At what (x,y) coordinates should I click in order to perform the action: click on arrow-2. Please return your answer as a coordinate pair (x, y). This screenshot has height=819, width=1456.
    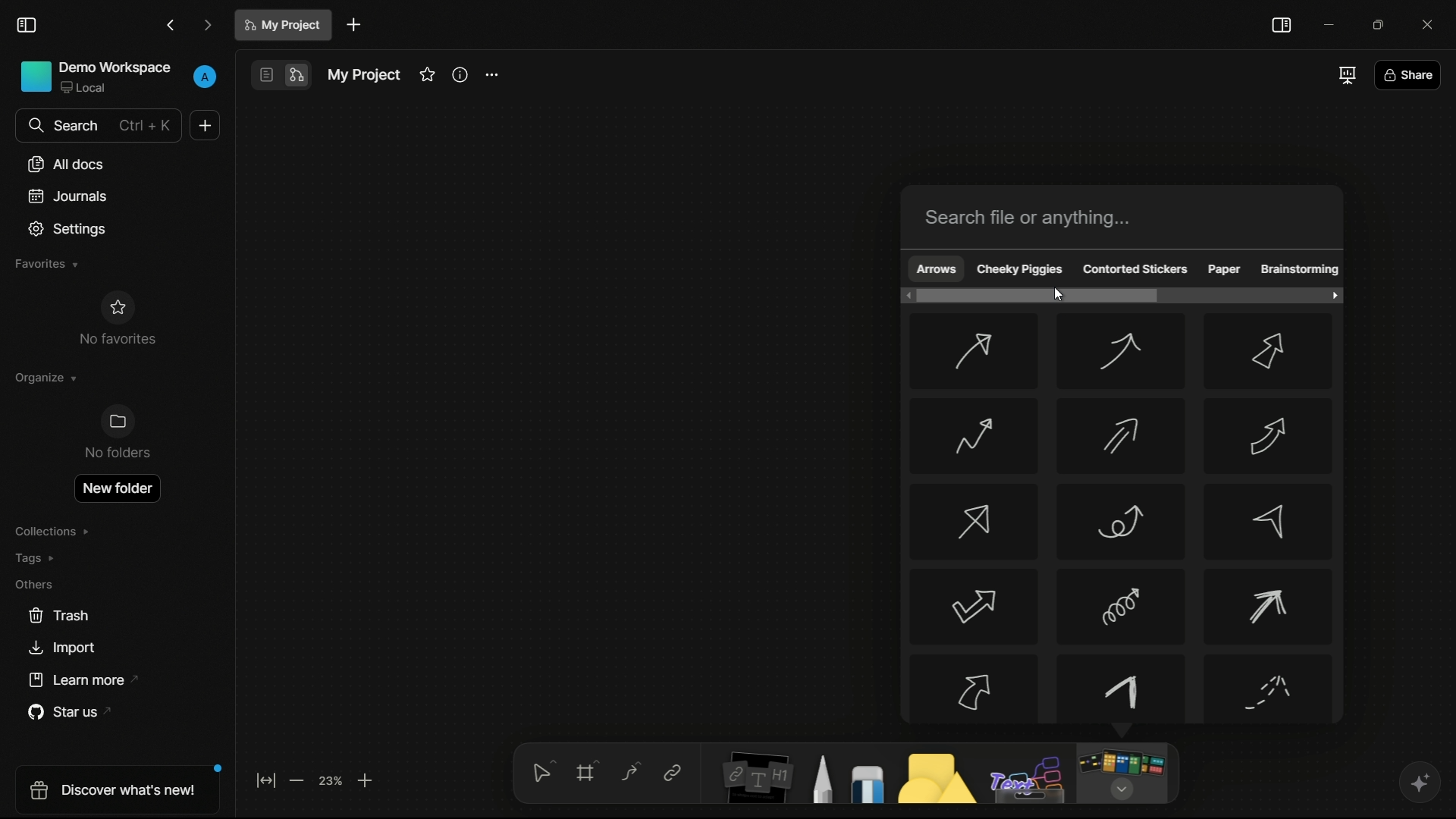
    Looking at the image, I should click on (1120, 353).